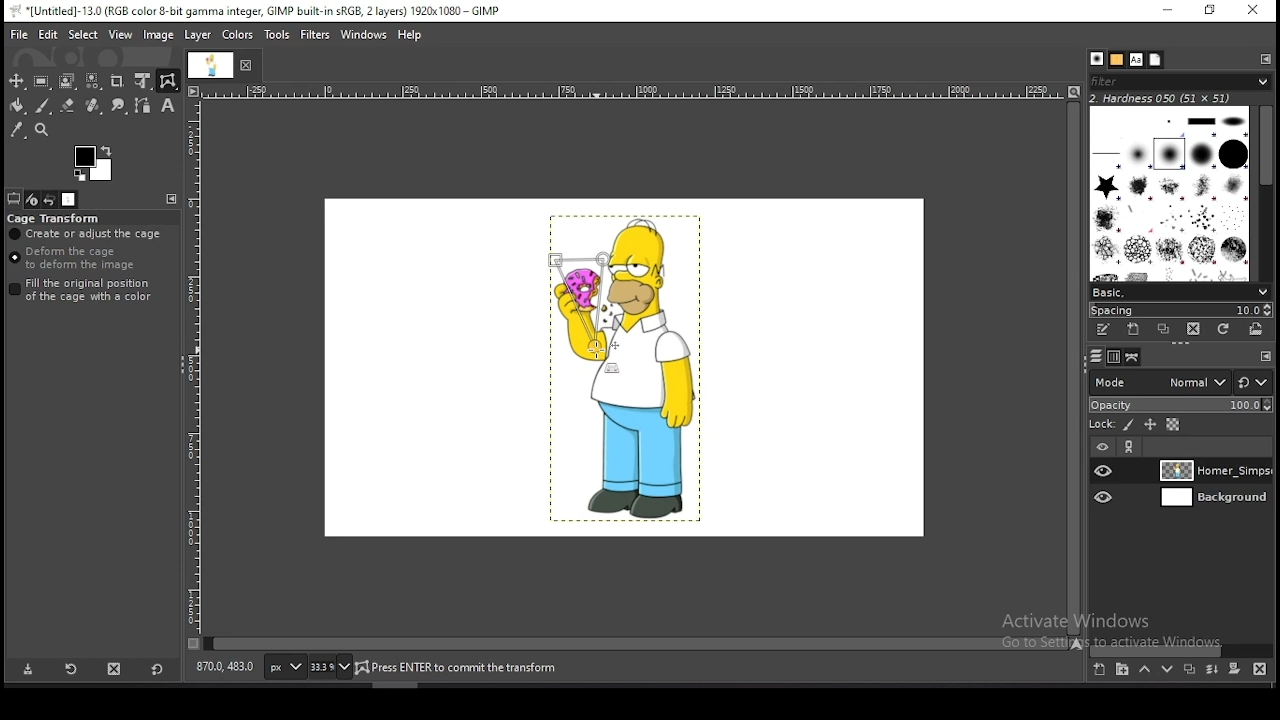 The width and height of the screenshot is (1280, 720). What do you see at coordinates (364, 33) in the screenshot?
I see `windows` at bounding box center [364, 33].